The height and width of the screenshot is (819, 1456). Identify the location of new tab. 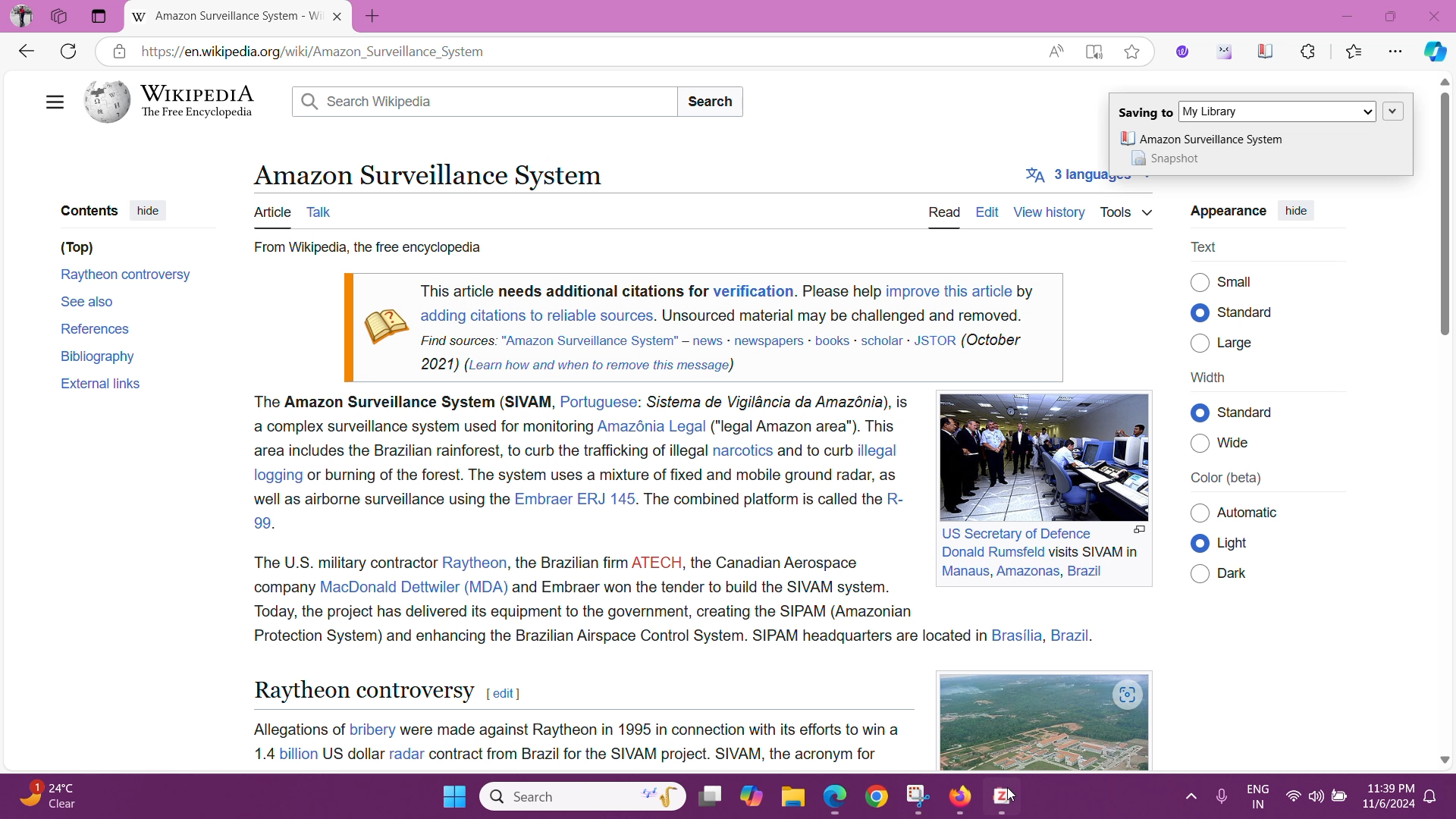
(375, 17).